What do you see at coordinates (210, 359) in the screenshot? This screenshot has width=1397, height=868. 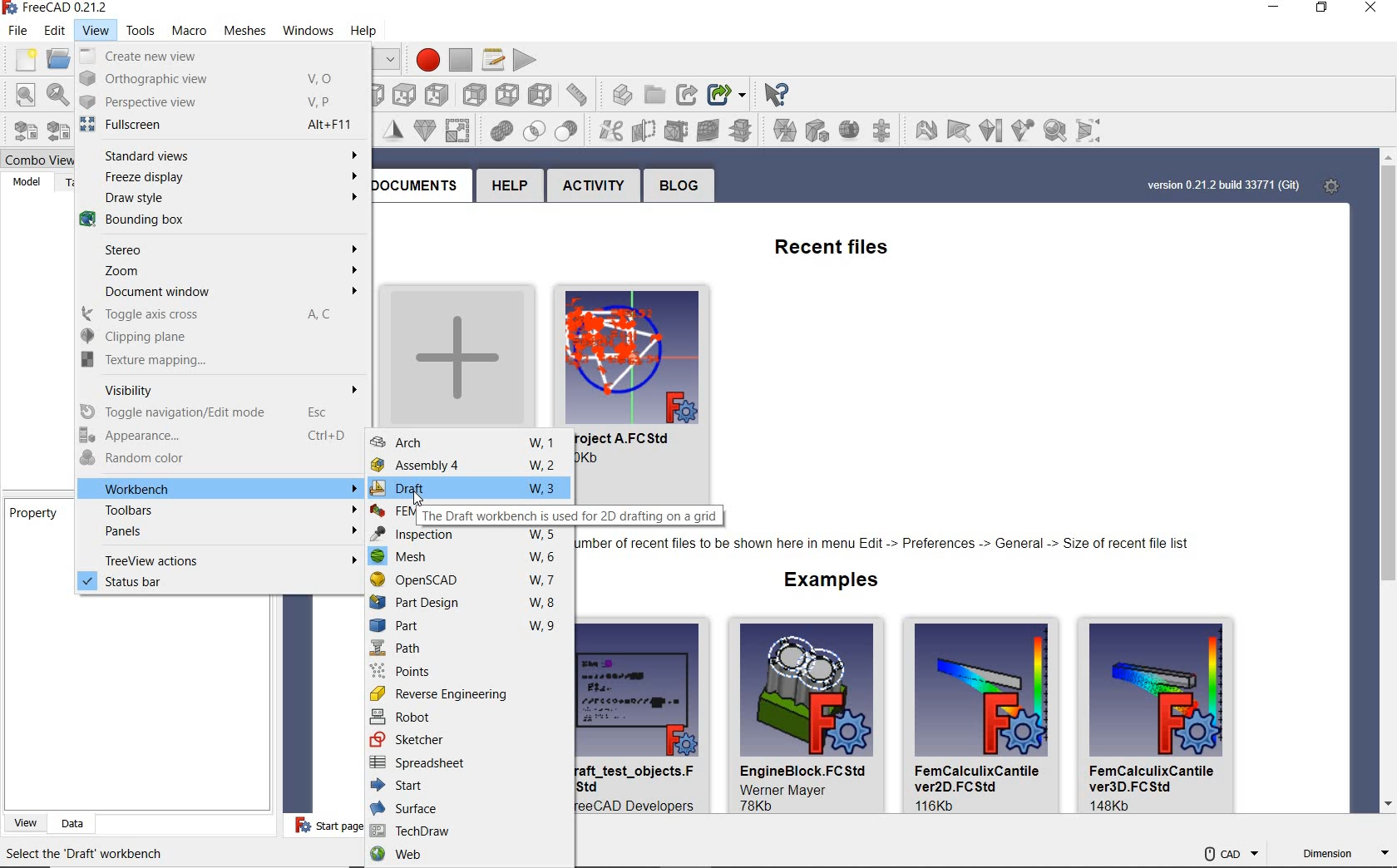 I see `texture mapping` at bounding box center [210, 359].